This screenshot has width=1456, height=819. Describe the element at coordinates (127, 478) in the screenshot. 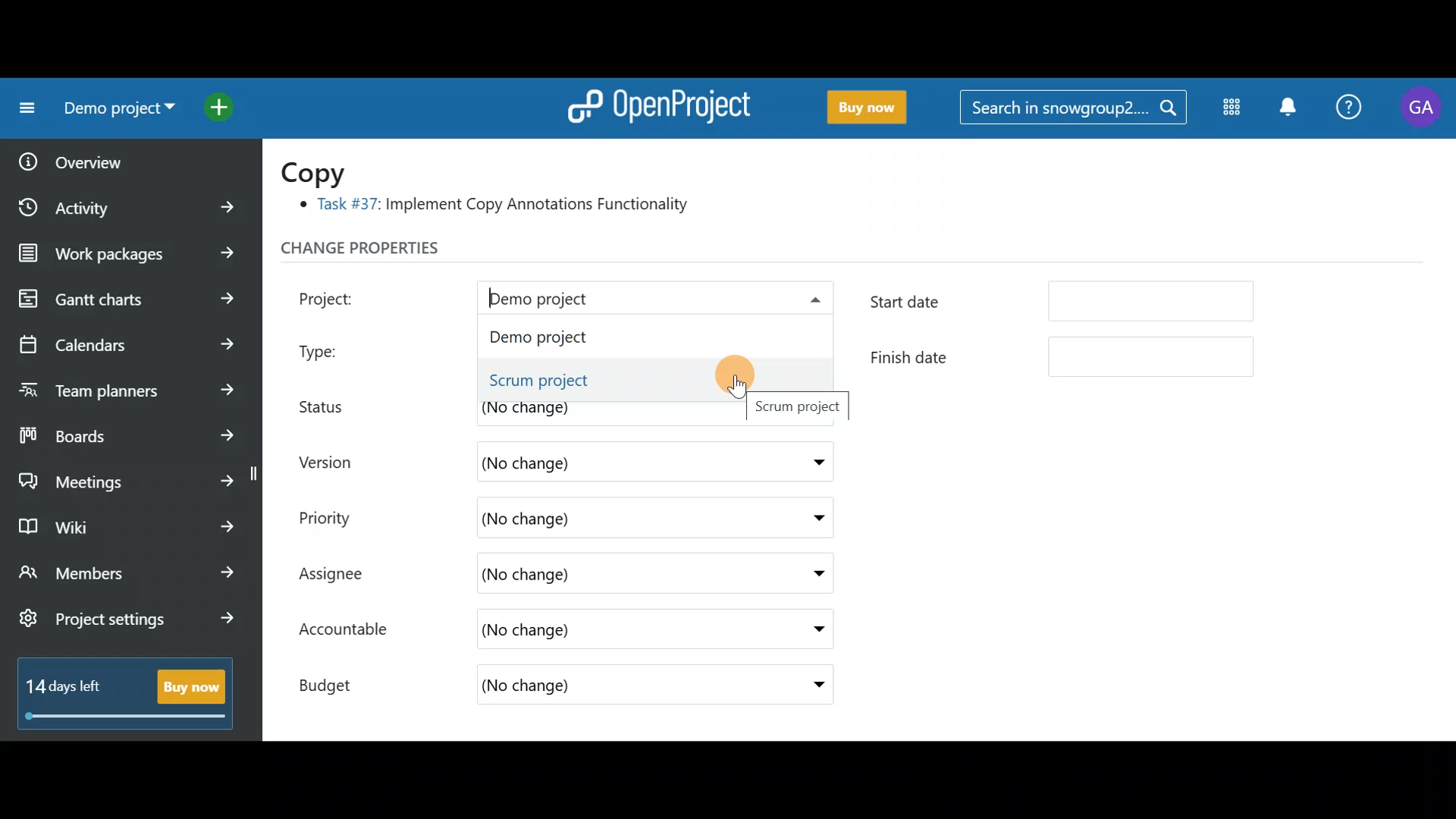

I see `Meetings` at that location.